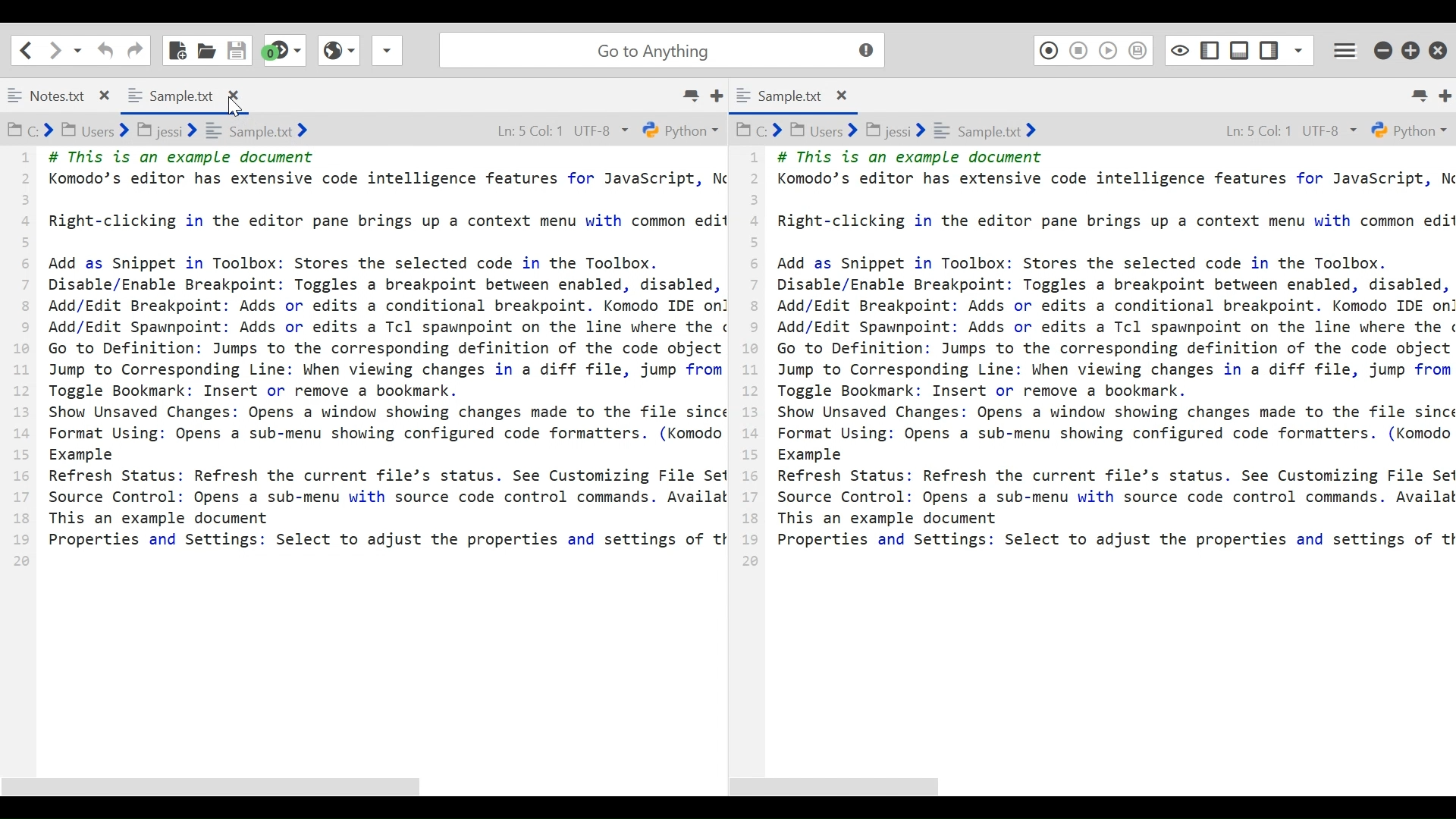 The height and width of the screenshot is (819, 1456). What do you see at coordinates (385, 50) in the screenshot?
I see `Share File` at bounding box center [385, 50].